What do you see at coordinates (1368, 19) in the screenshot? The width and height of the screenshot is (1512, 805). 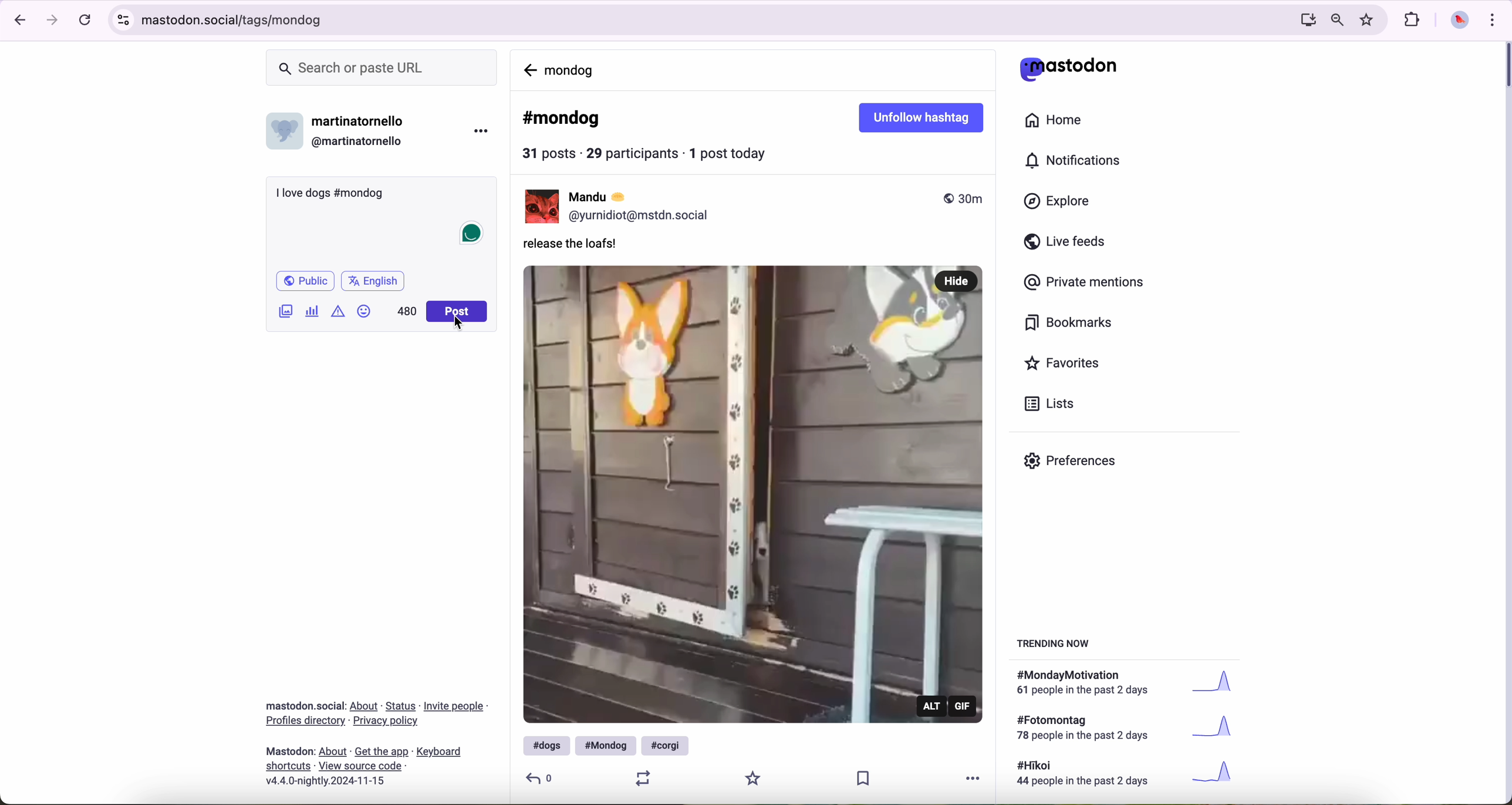 I see `favorites` at bounding box center [1368, 19].